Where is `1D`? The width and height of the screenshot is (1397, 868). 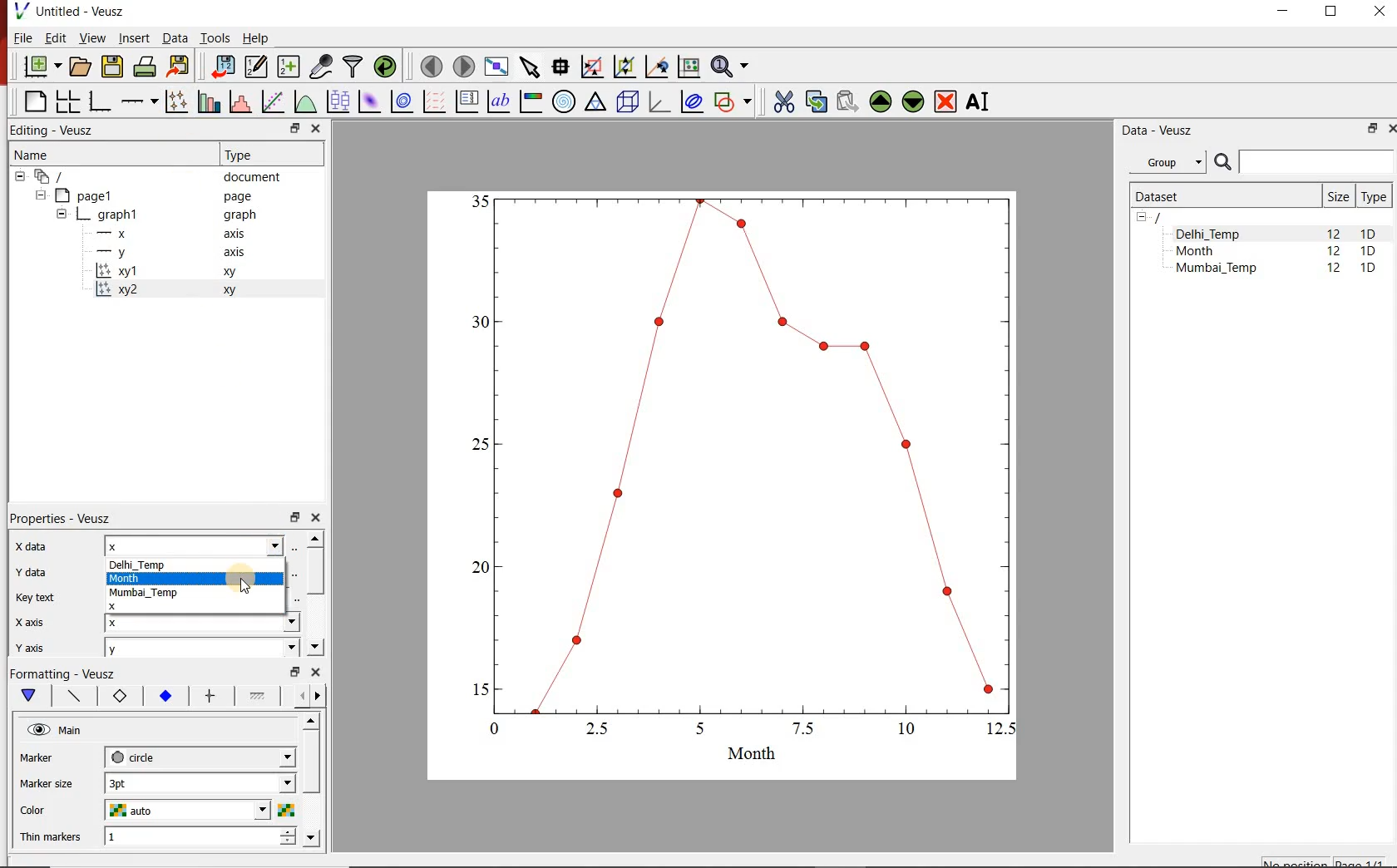
1D is located at coordinates (1368, 252).